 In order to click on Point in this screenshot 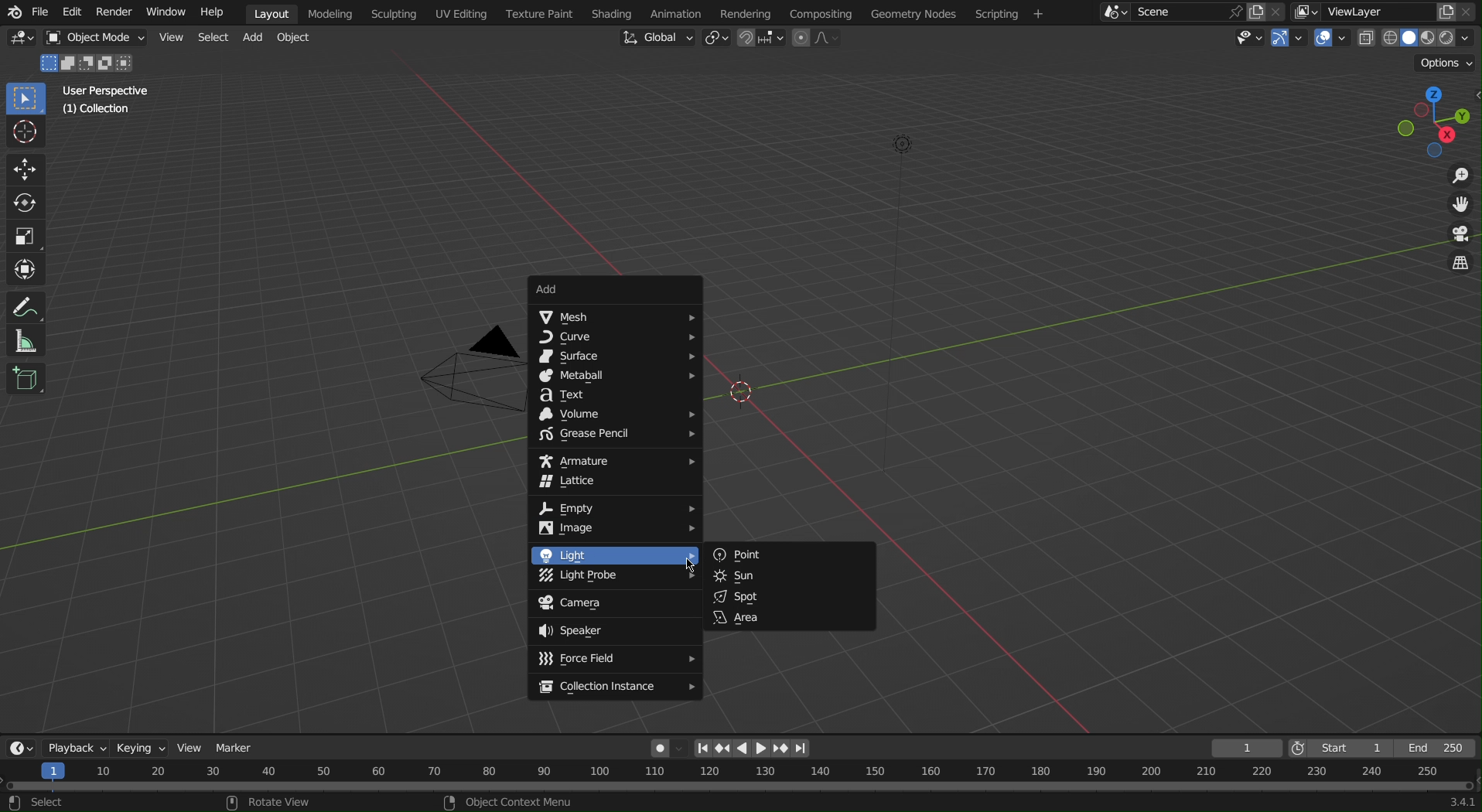, I will do `click(787, 555)`.